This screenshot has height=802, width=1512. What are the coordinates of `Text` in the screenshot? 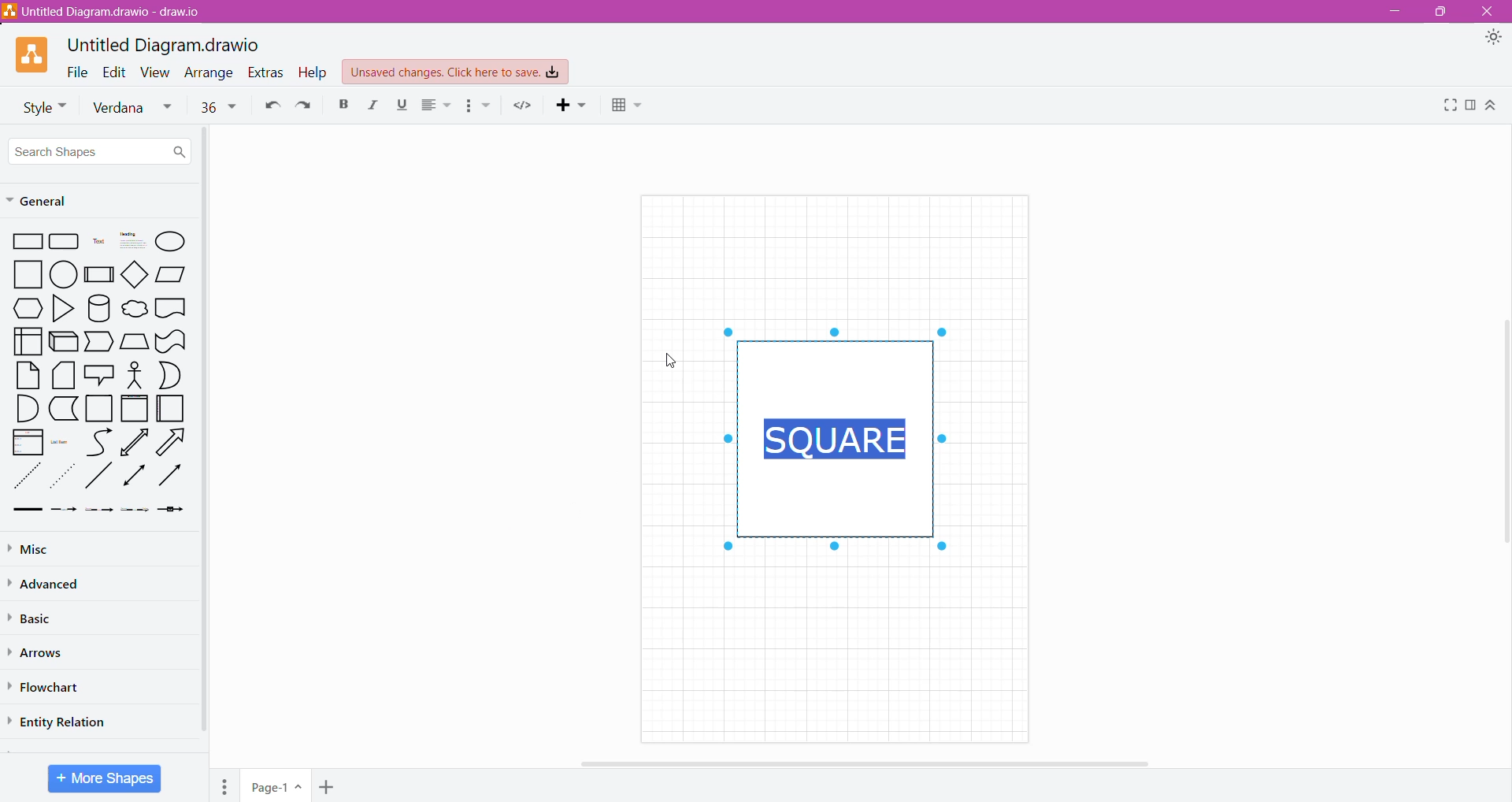 It's located at (98, 243).